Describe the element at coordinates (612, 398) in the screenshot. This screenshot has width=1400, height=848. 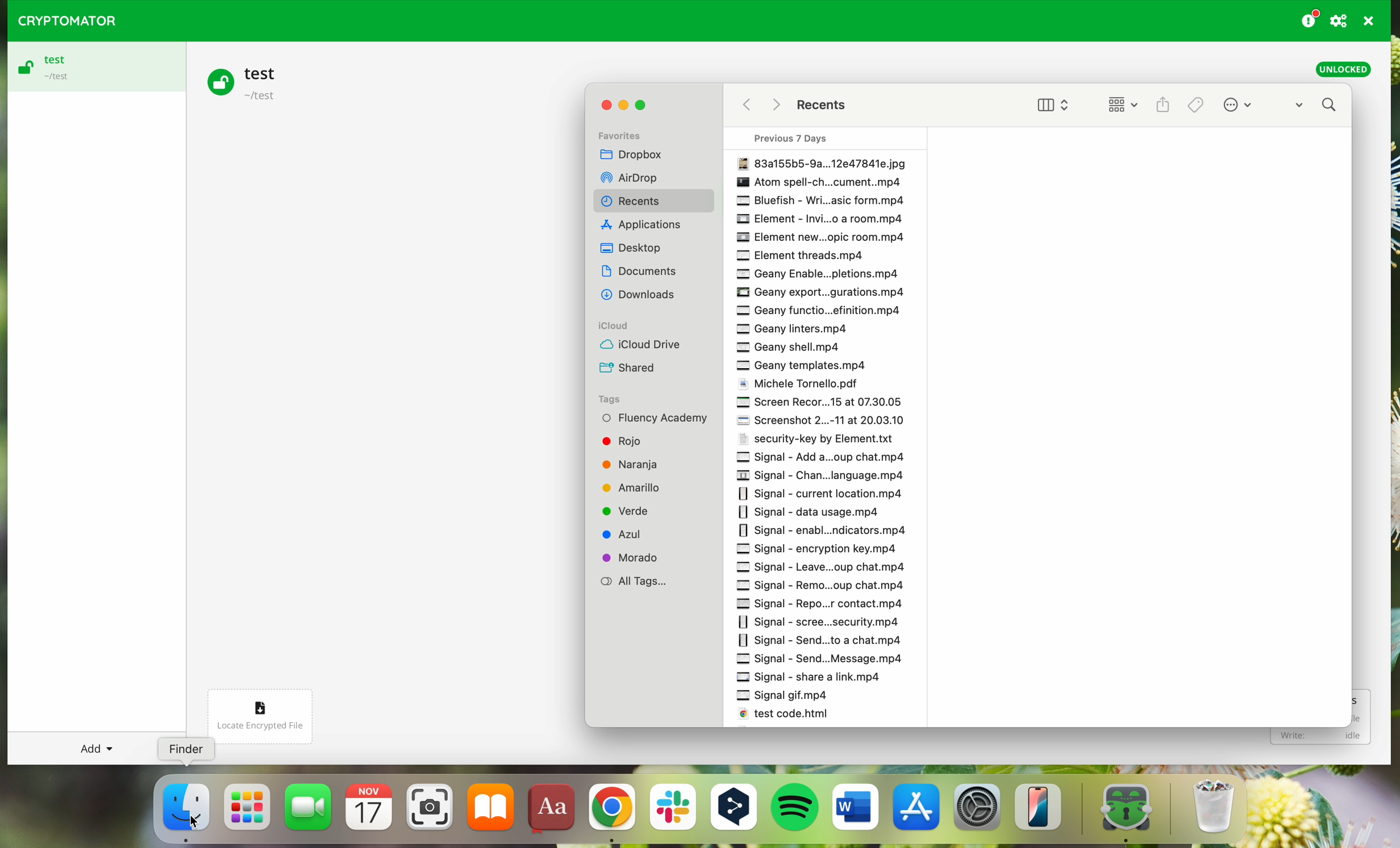
I see `Tags` at that location.